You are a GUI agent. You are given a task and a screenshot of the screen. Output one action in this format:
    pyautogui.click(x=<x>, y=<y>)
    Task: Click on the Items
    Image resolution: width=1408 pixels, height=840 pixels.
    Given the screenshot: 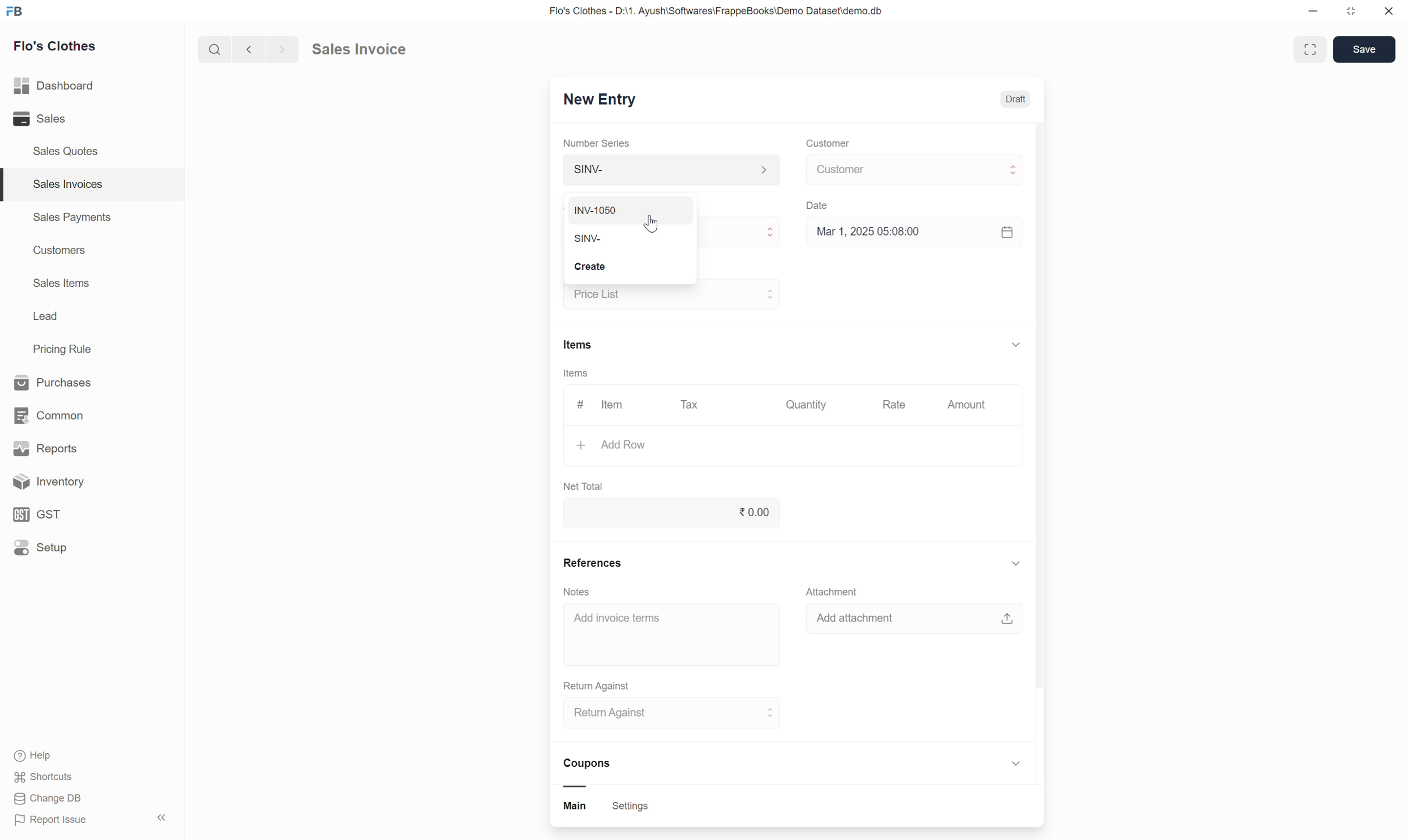 What is the action you would take?
    pyautogui.click(x=576, y=375)
    